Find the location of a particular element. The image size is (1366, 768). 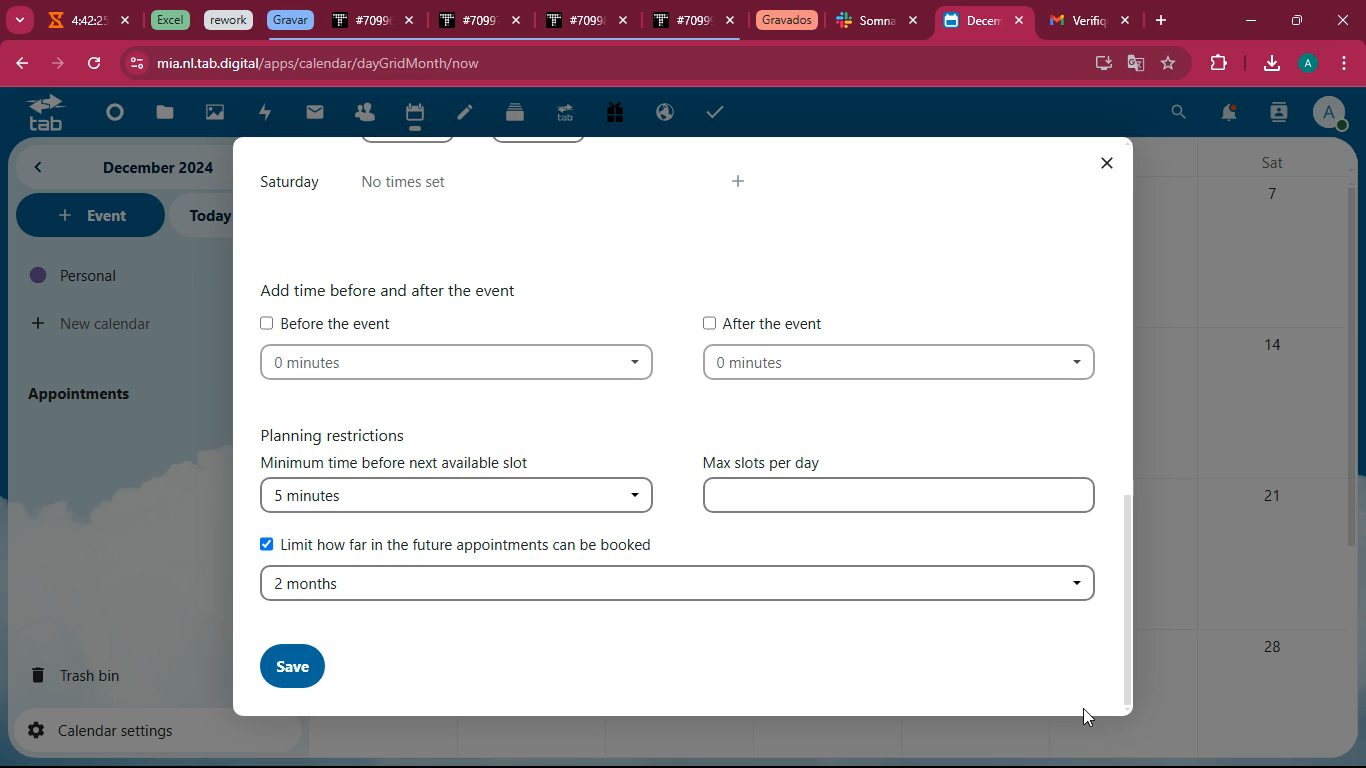

current tab is located at coordinates (972, 26).